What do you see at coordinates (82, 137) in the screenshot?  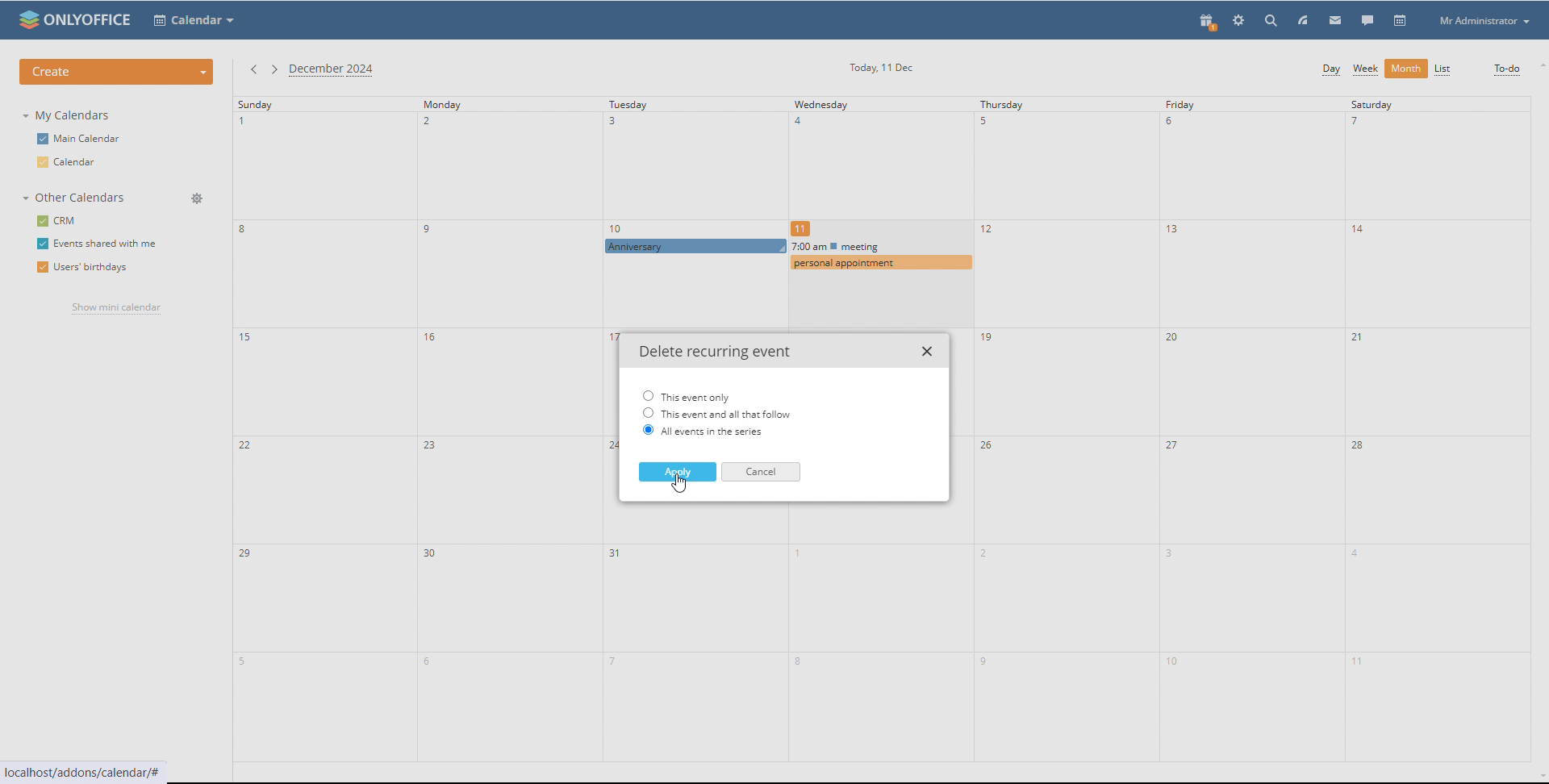 I see `main calendar` at bounding box center [82, 137].